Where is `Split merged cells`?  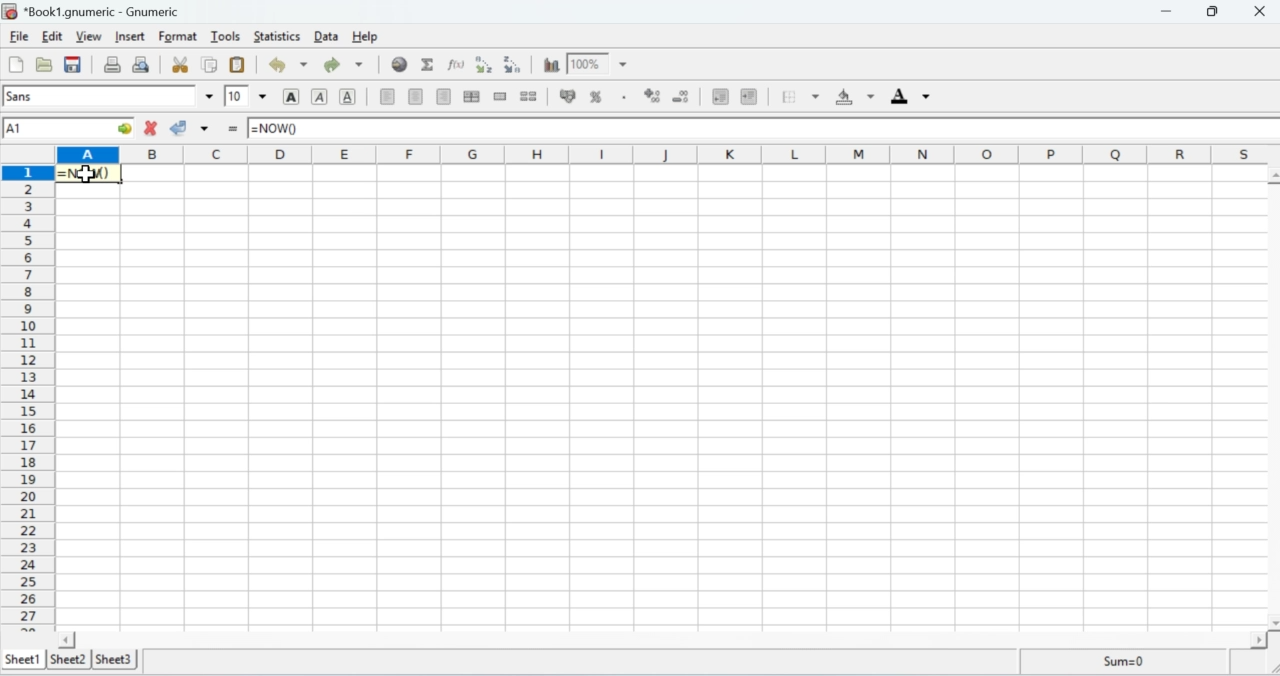
Split merged cells is located at coordinates (534, 97).